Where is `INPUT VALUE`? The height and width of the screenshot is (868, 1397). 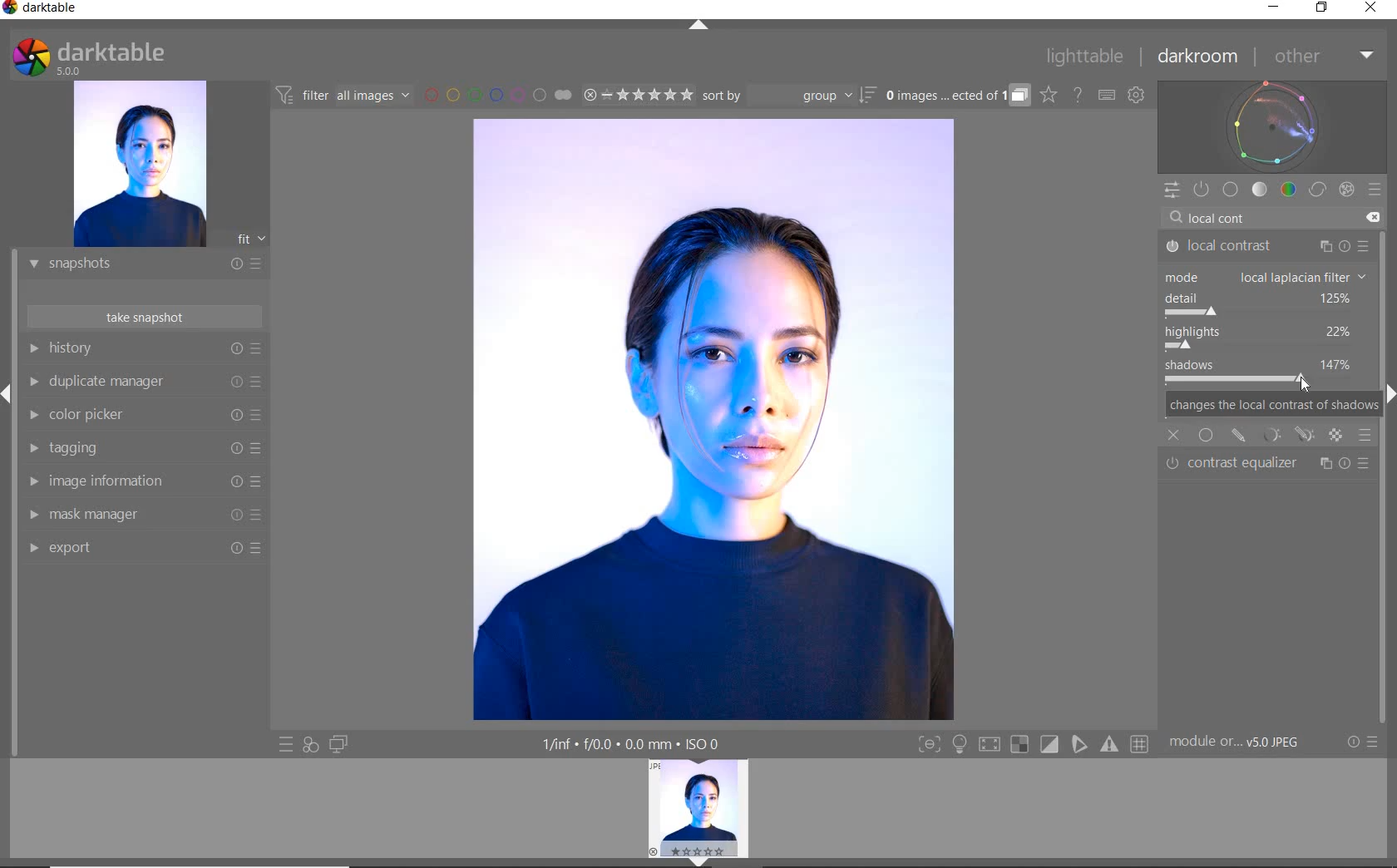 INPUT VALUE is located at coordinates (1227, 216).